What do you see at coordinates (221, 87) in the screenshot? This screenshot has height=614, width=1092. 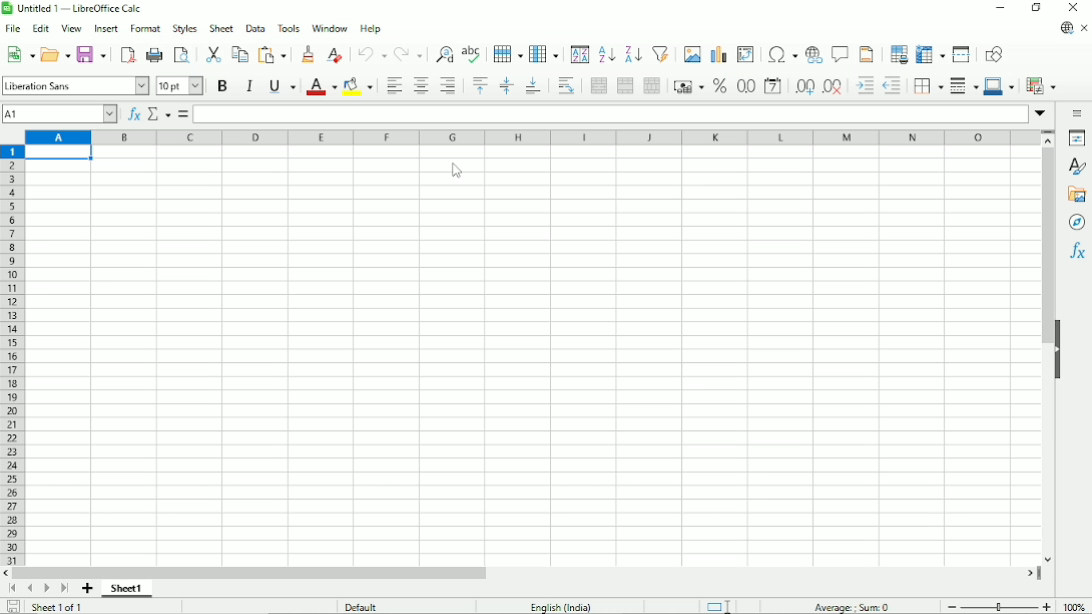 I see `Bold` at bounding box center [221, 87].